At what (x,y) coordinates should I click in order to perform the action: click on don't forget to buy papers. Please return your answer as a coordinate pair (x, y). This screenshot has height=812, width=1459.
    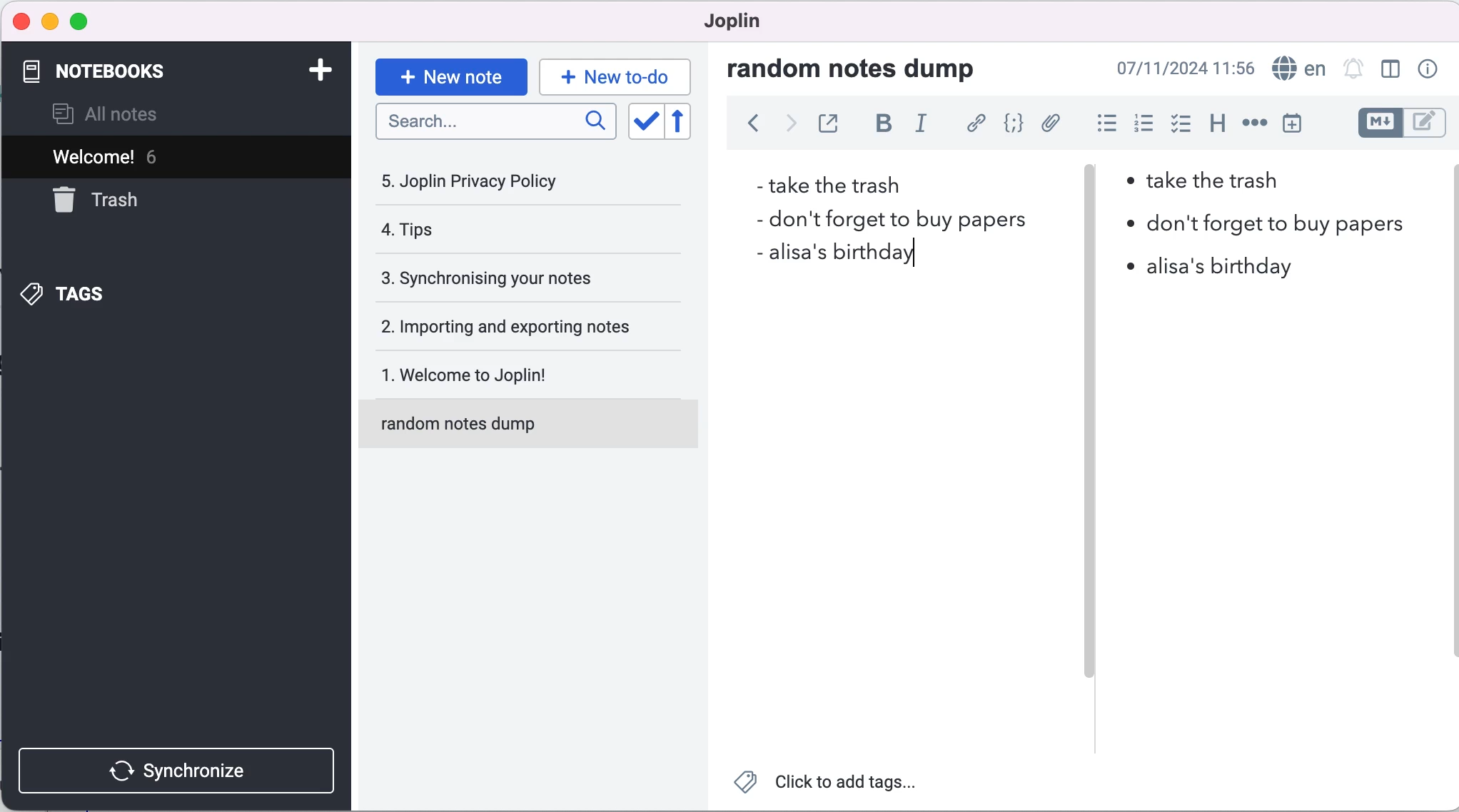
    Looking at the image, I should click on (1264, 223).